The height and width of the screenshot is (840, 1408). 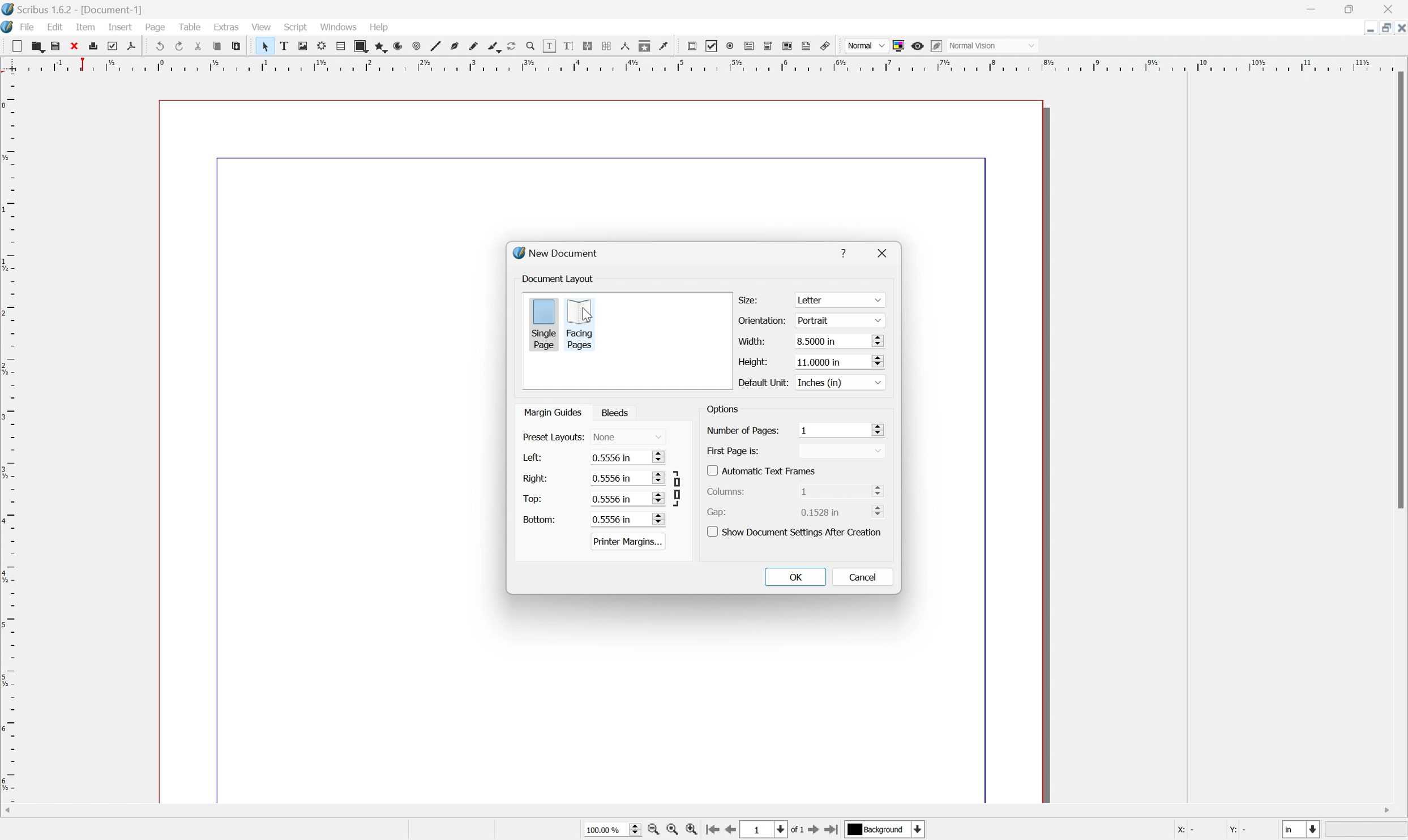 What do you see at coordinates (59, 46) in the screenshot?
I see `Save` at bounding box center [59, 46].